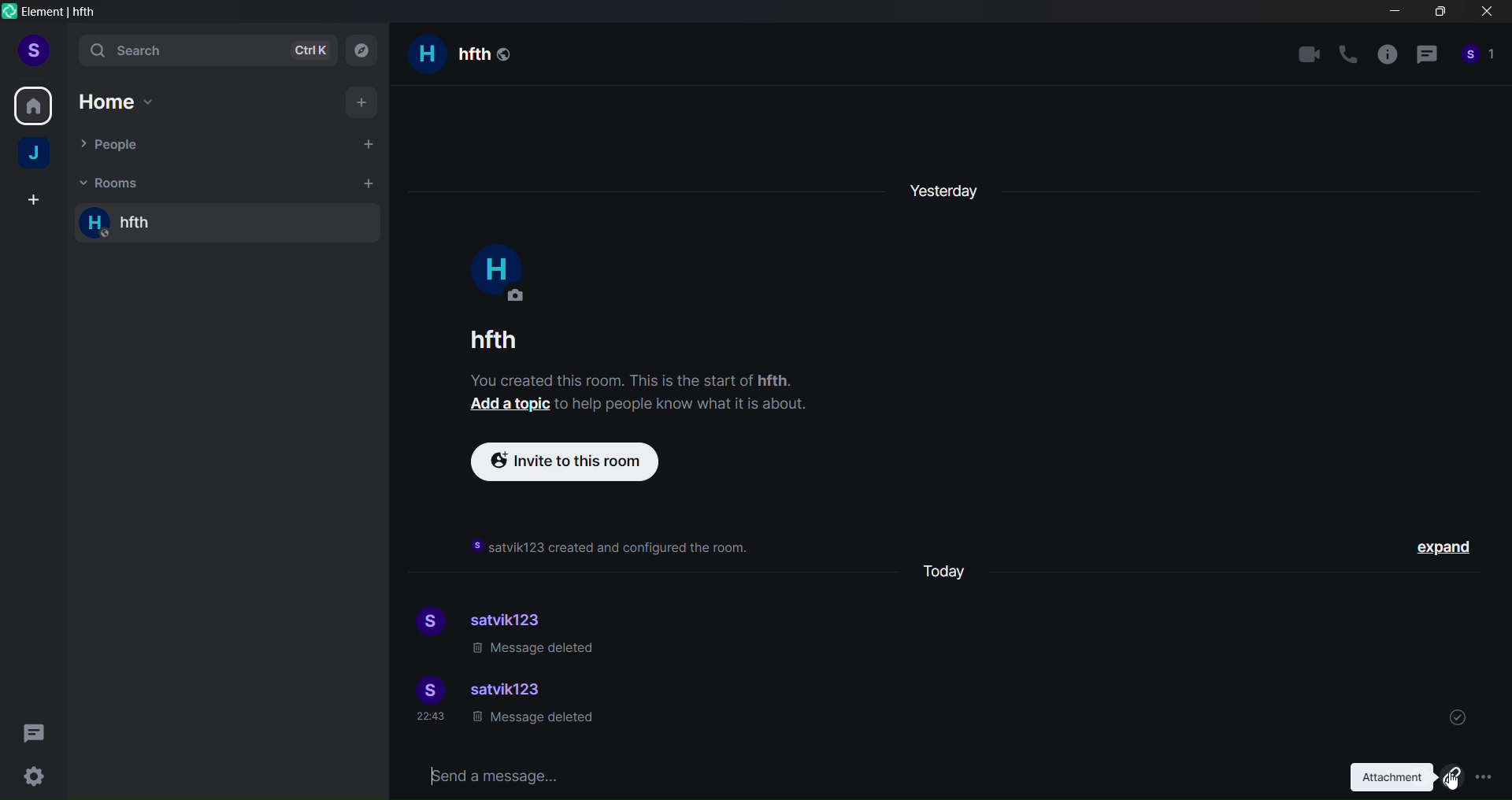 The width and height of the screenshot is (1512, 800). Describe the element at coordinates (1400, 777) in the screenshot. I see `attachment` at that location.